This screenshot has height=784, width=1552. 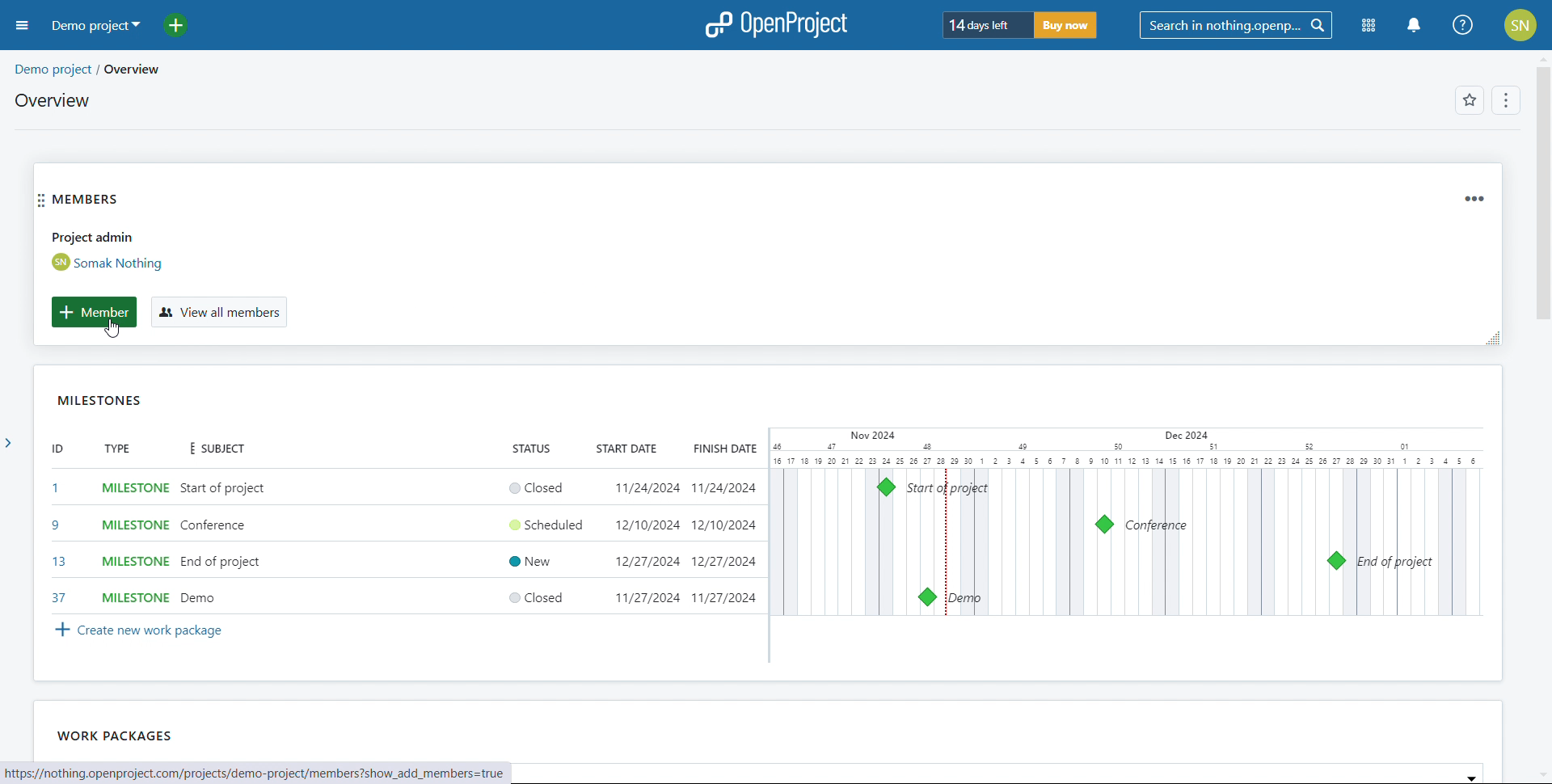 What do you see at coordinates (647, 488) in the screenshot?
I see `set start date` at bounding box center [647, 488].